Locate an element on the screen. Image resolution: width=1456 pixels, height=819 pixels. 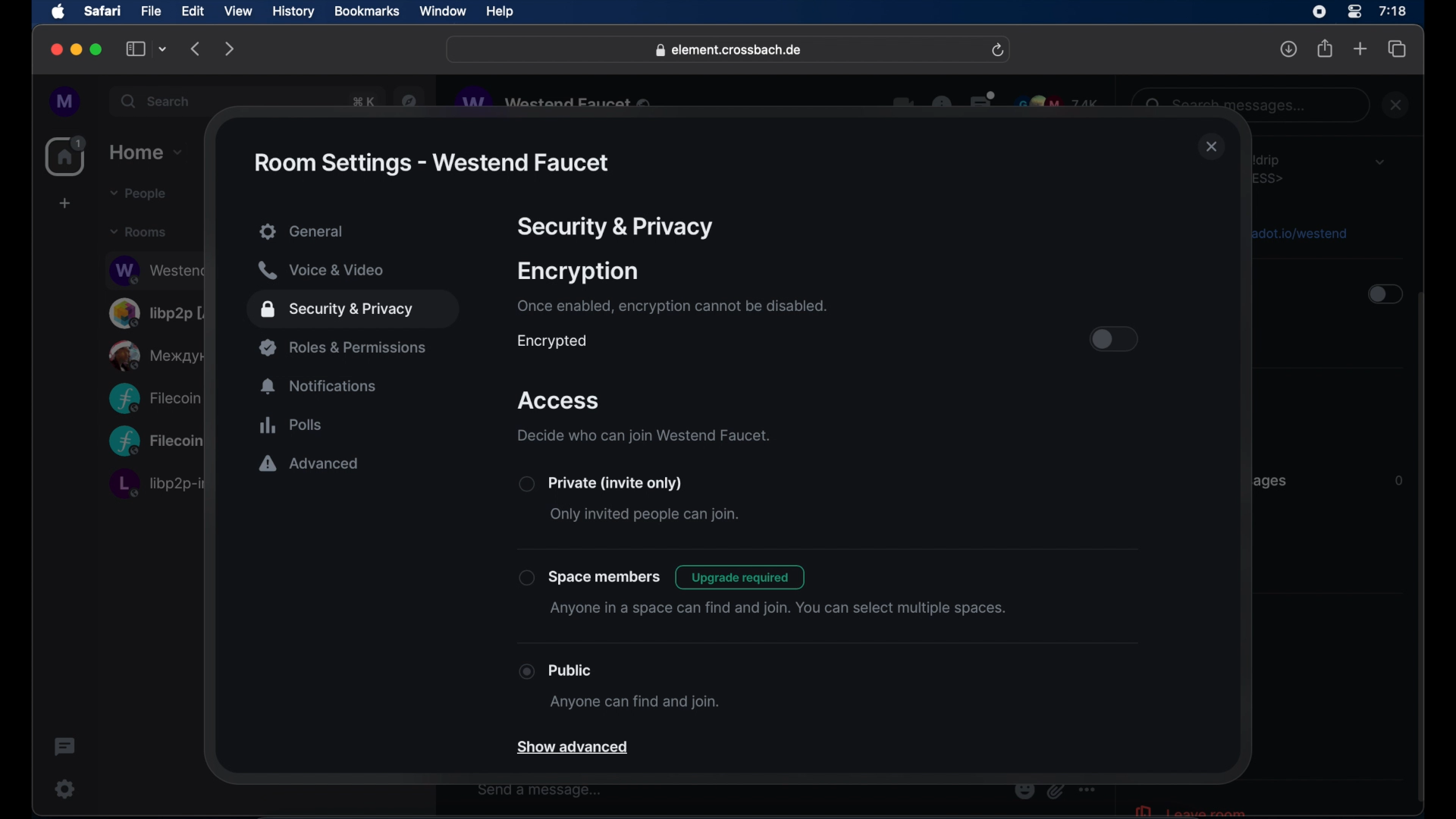
obscure is located at coordinates (160, 312).